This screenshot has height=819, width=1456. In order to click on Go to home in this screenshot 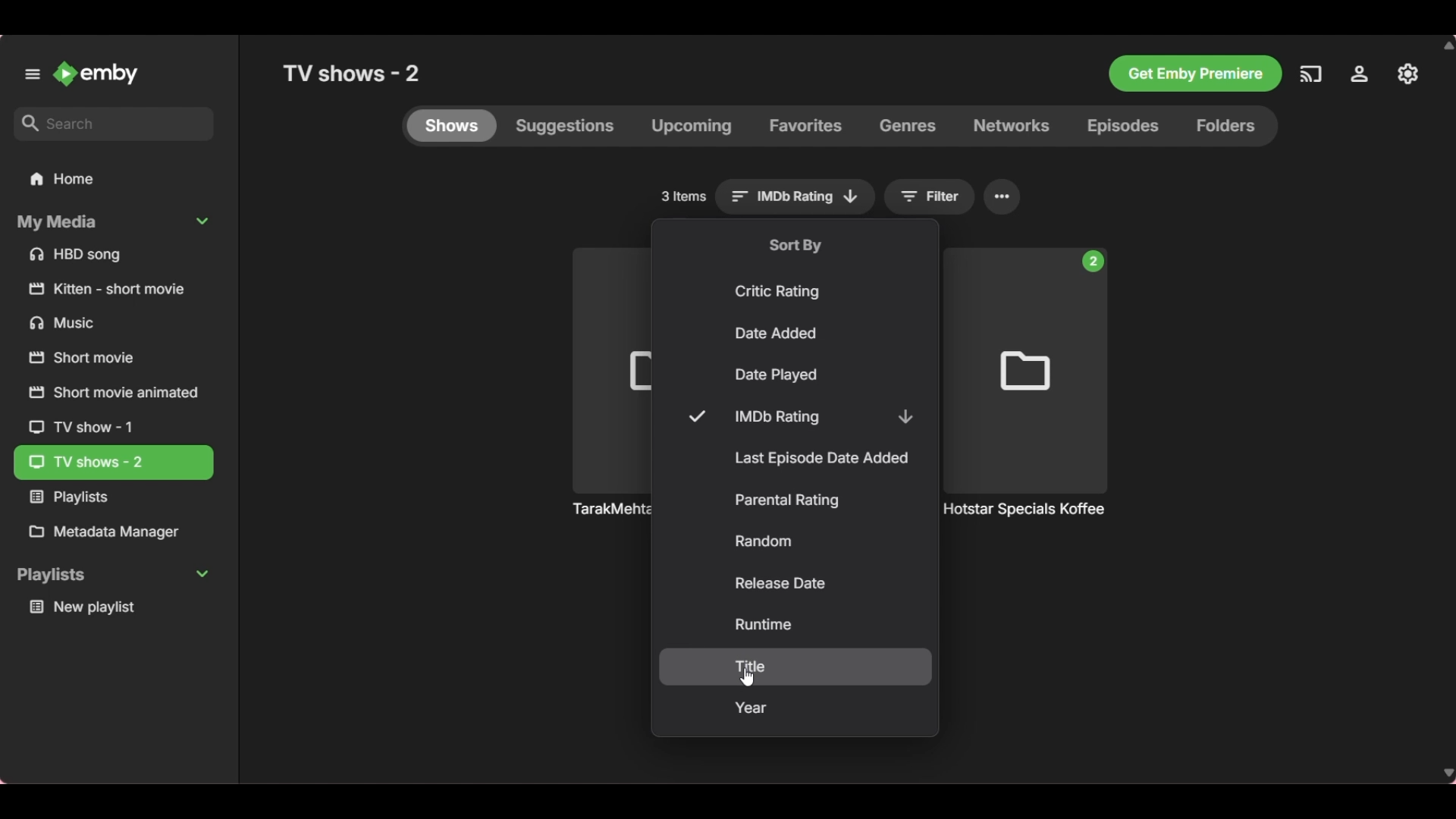, I will do `click(96, 73)`.